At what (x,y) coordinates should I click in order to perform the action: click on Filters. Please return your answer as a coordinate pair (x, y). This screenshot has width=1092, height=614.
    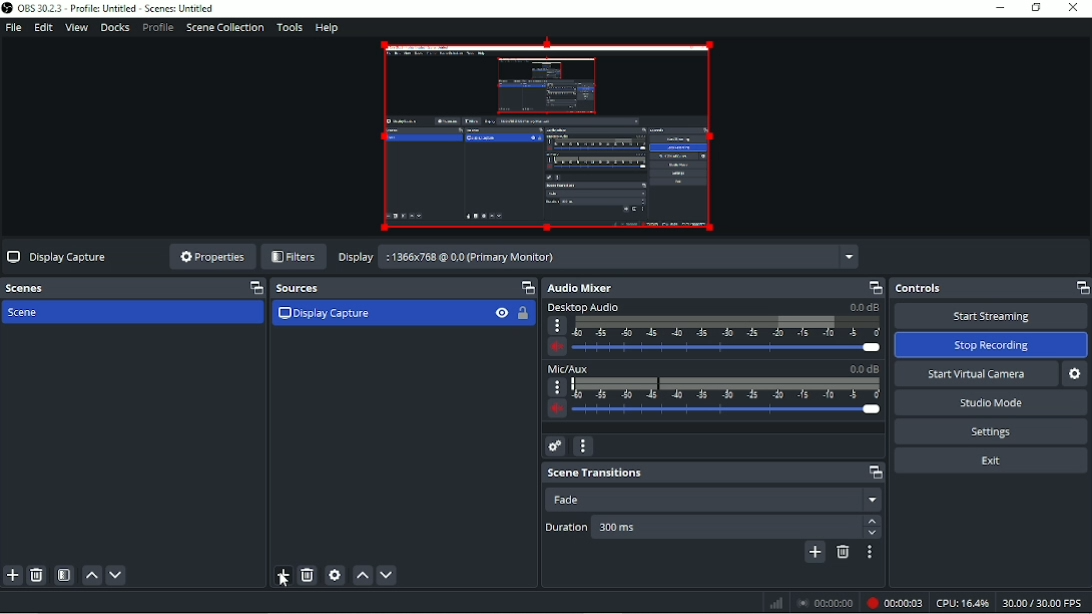
    Looking at the image, I should click on (294, 258).